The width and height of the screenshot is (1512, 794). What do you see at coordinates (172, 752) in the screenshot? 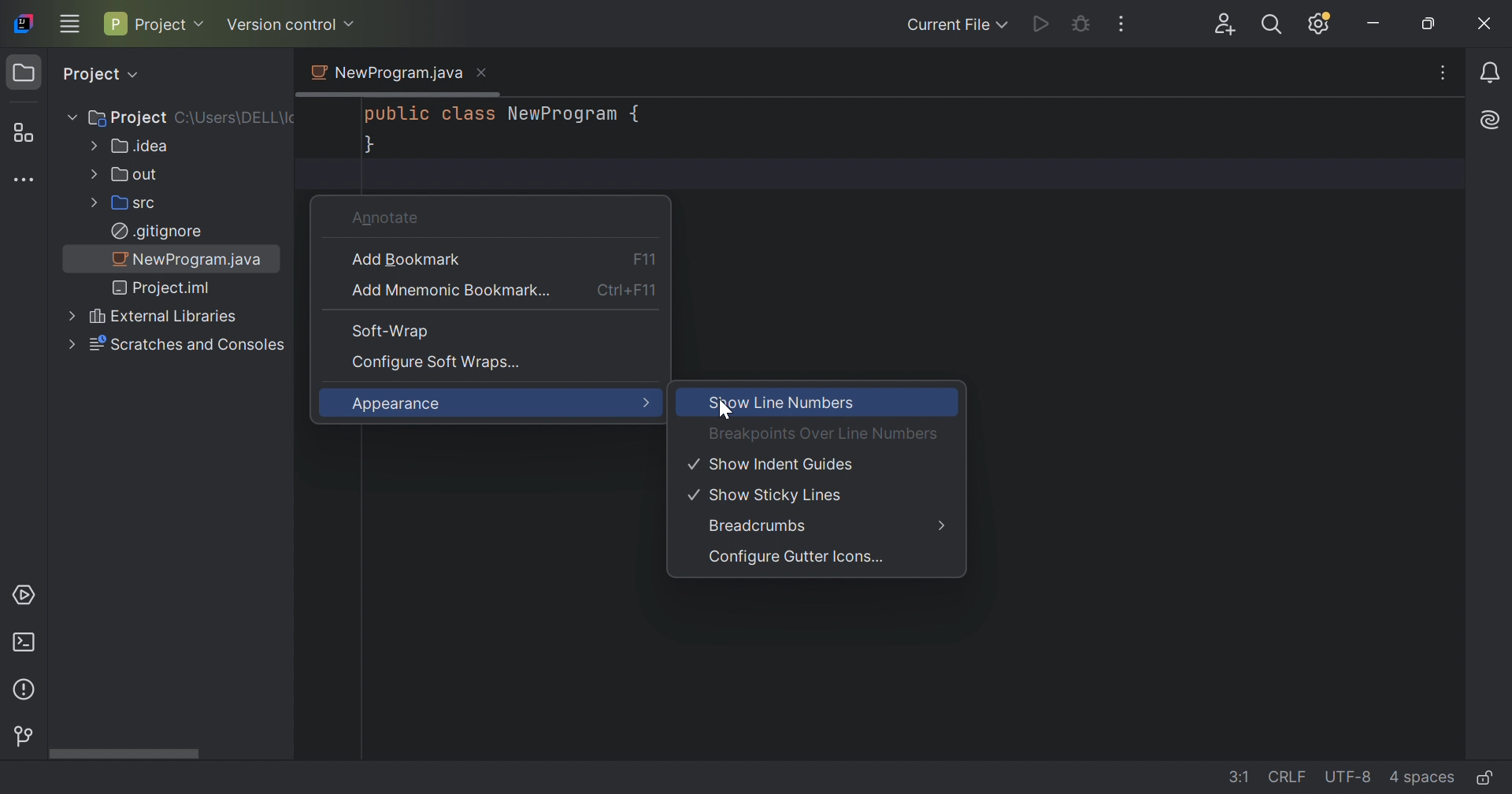
I see `Scroll Bar` at bounding box center [172, 752].